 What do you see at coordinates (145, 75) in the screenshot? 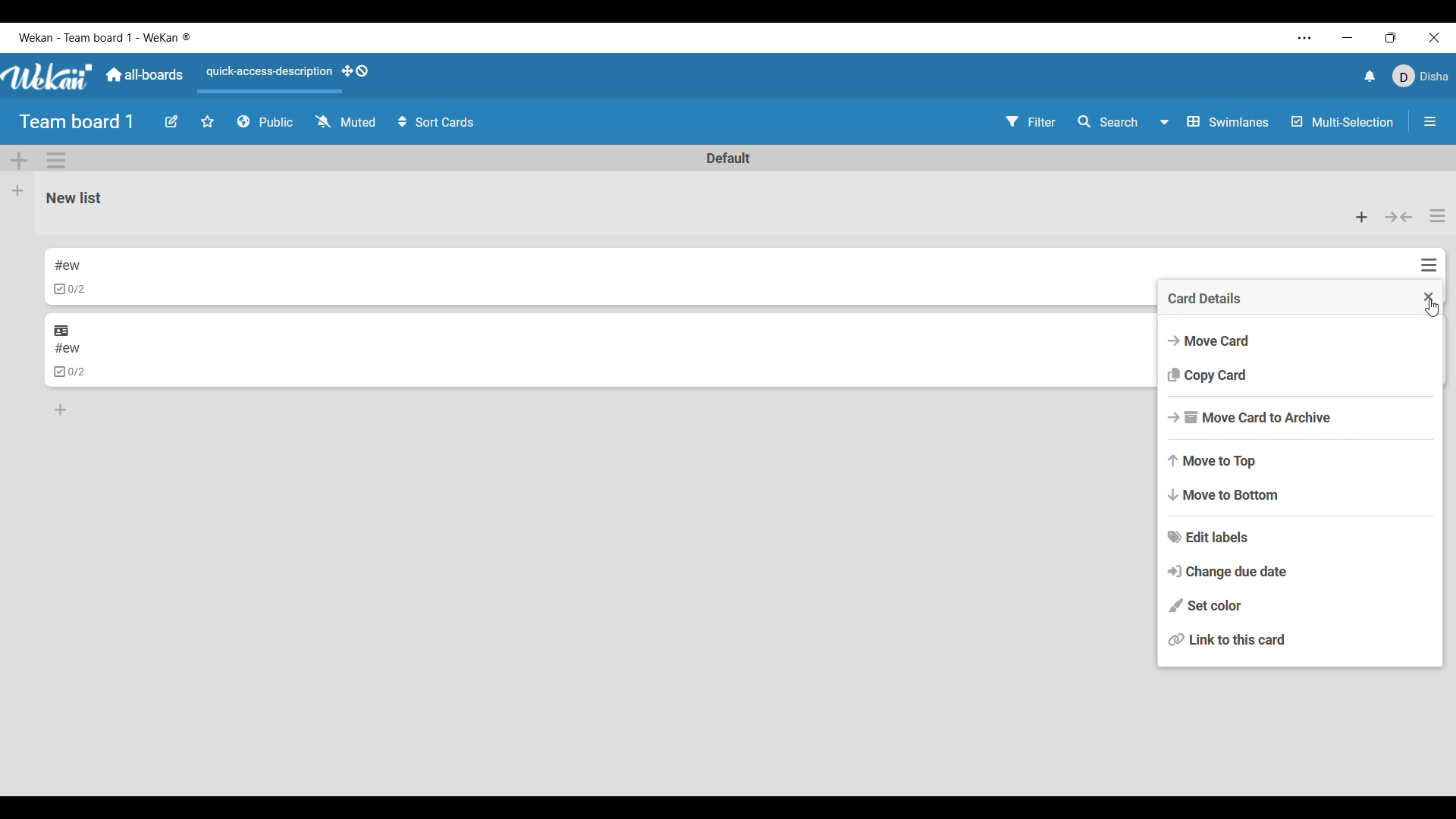
I see `Main dashboard` at bounding box center [145, 75].